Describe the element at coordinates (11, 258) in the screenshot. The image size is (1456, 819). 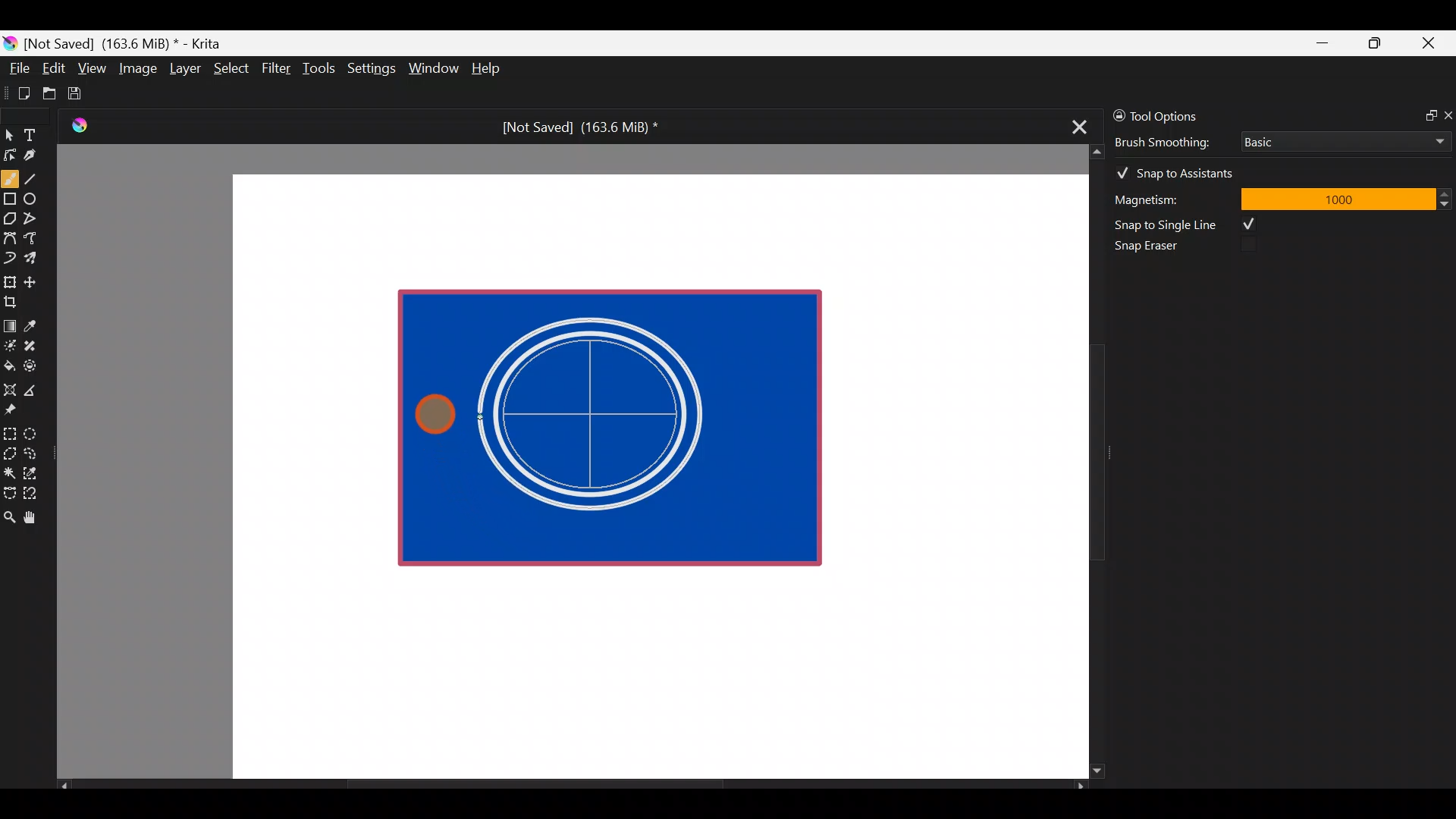
I see `Dynamic brush tool` at that location.